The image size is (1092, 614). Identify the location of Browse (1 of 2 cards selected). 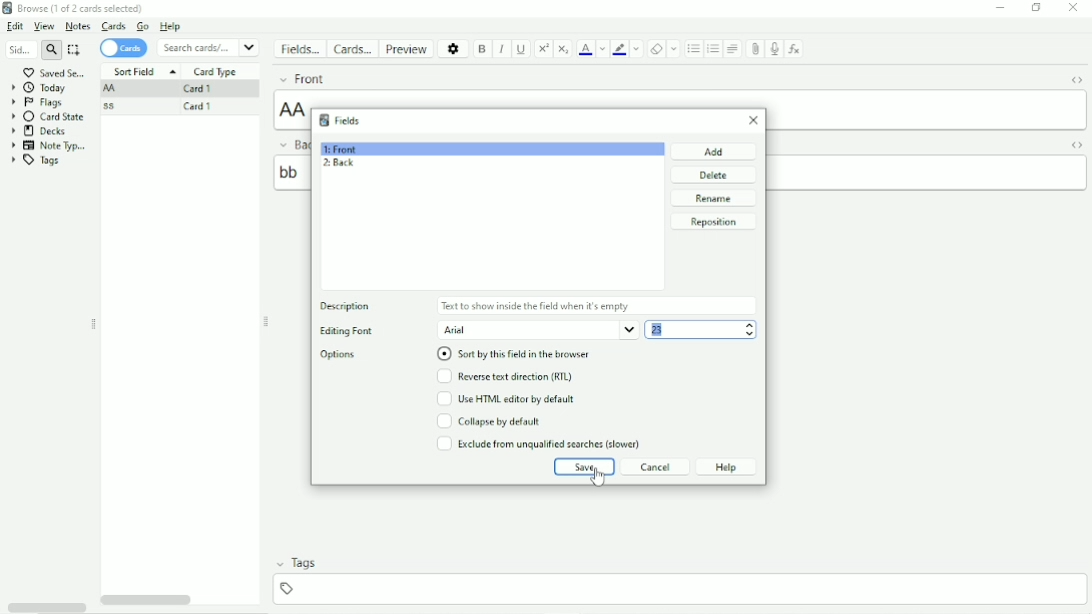
(85, 8).